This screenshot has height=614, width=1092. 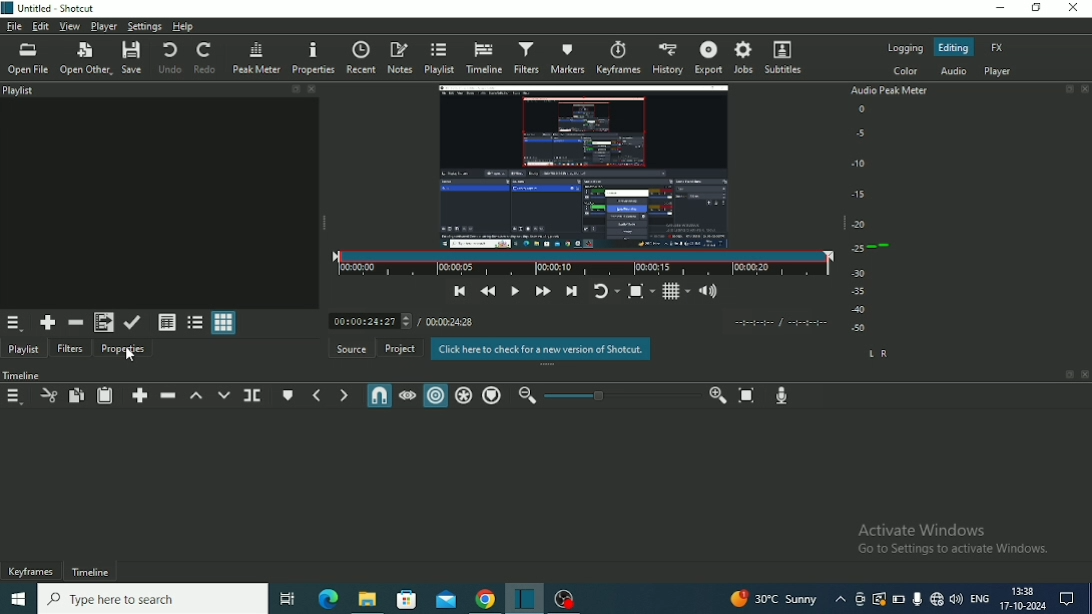 I want to click on Cut, so click(x=70, y=667).